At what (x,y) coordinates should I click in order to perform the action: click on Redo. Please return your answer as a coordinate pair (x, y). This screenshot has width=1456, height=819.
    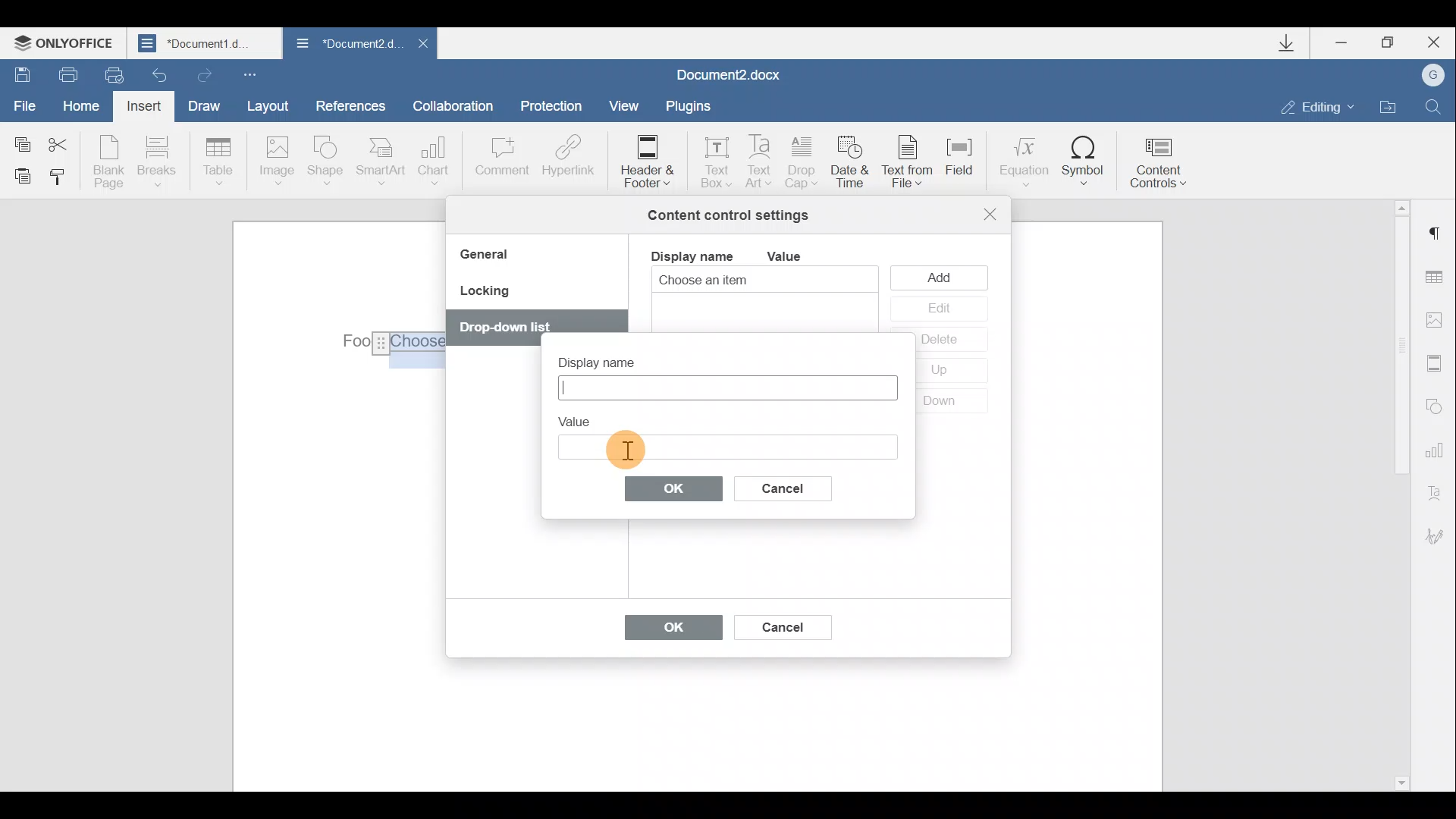
    Looking at the image, I should click on (202, 72).